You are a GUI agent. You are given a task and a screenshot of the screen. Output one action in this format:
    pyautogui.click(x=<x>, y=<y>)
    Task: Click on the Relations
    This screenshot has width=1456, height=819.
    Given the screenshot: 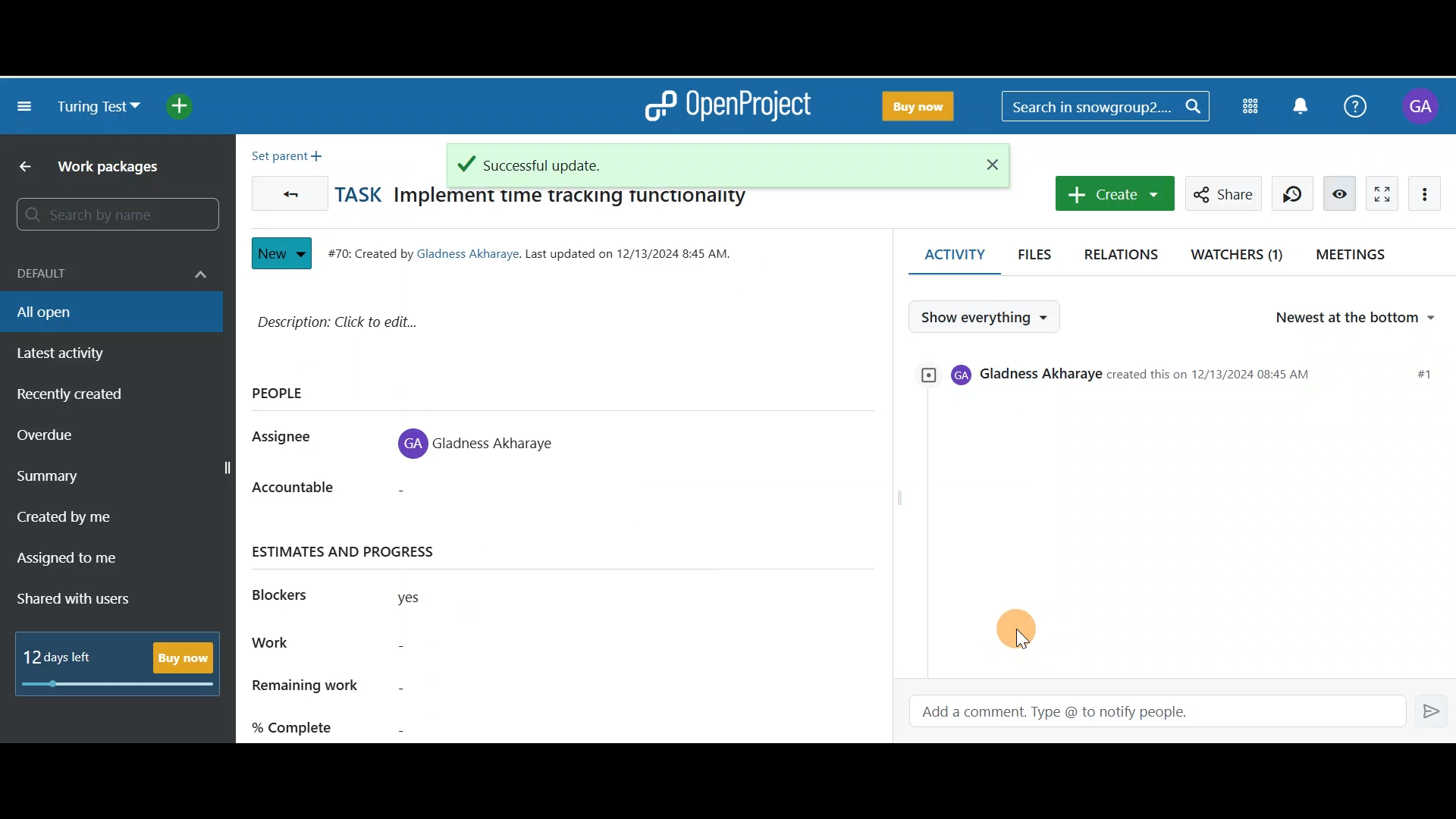 What is the action you would take?
    pyautogui.click(x=1125, y=252)
    